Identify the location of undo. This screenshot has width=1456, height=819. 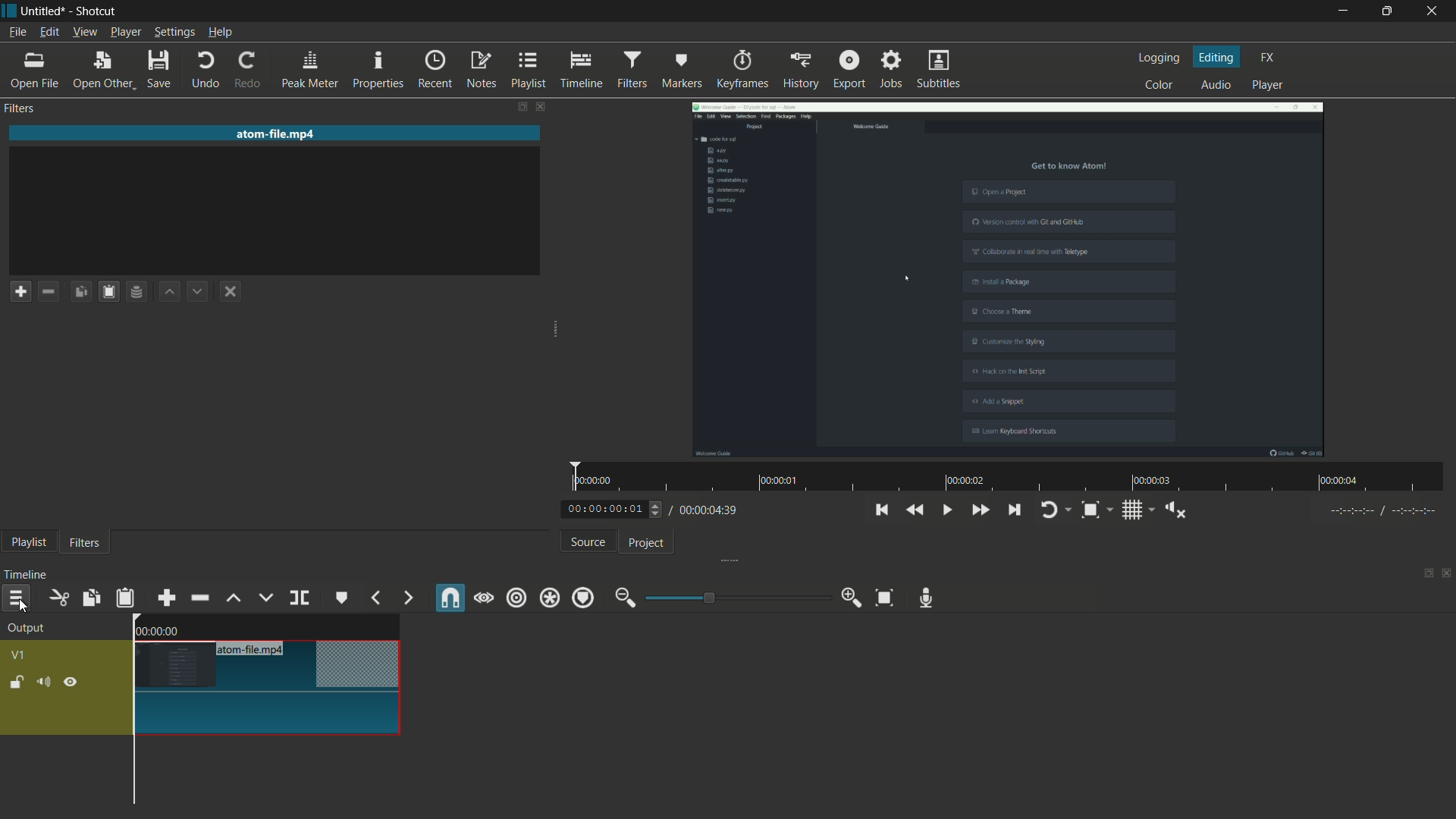
(203, 71).